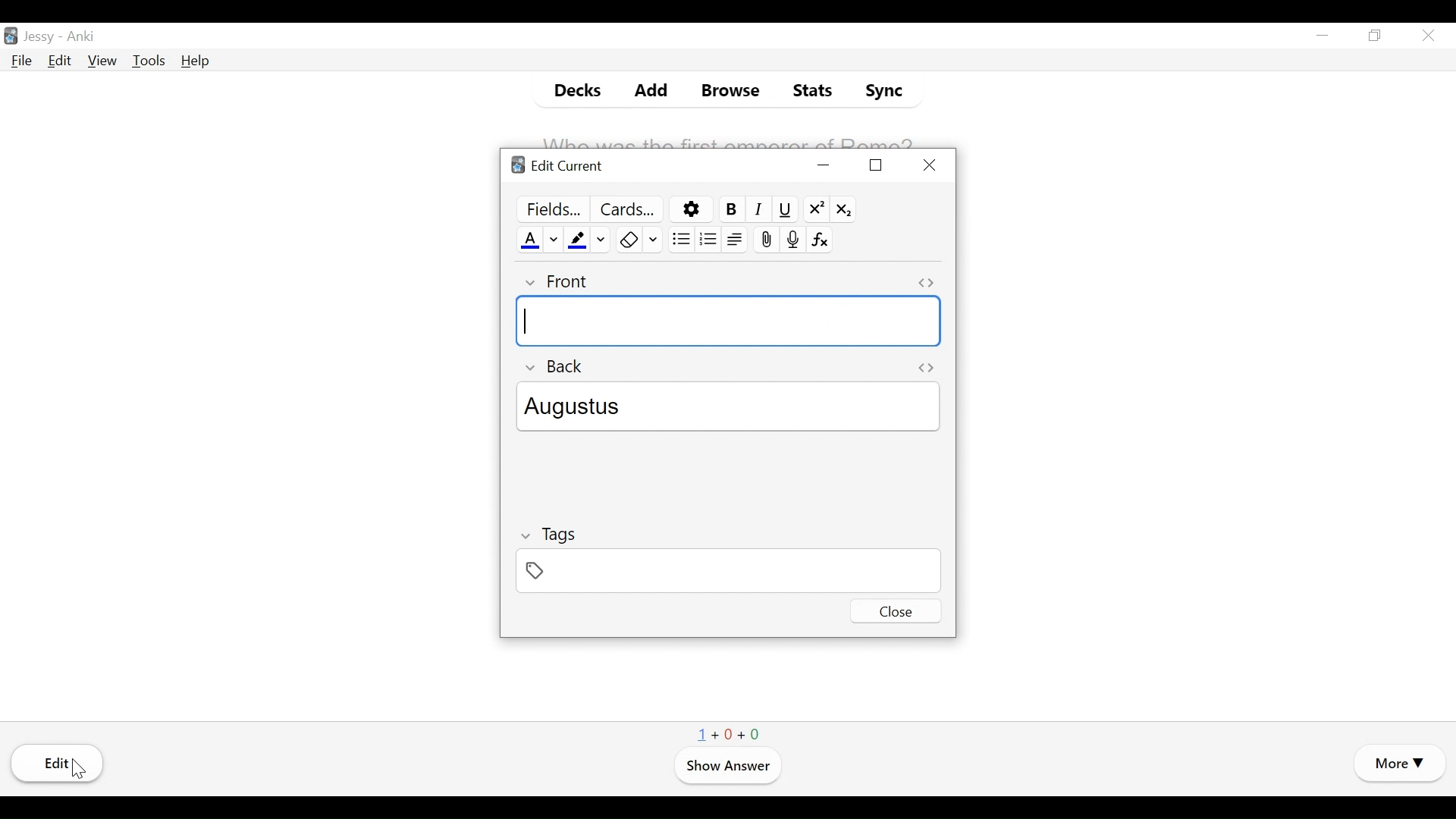 This screenshot has width=1456, height=819. What do you see at coordinates (824, 165) in the screenshot?
I see `minimize` at bounding box center [824, 165].